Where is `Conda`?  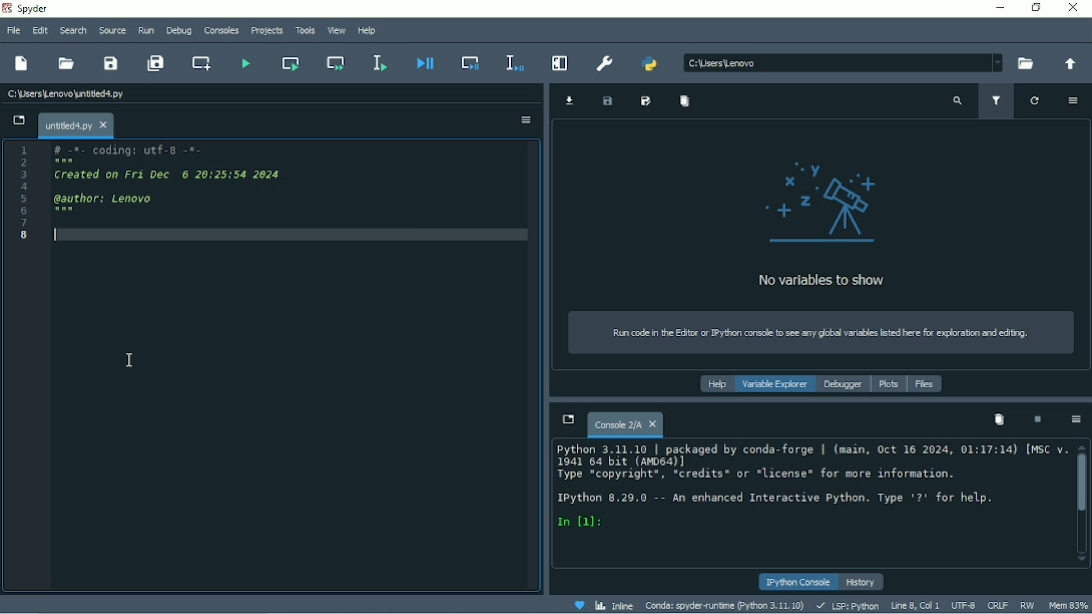
Conda is located at coordinates (725, 605).